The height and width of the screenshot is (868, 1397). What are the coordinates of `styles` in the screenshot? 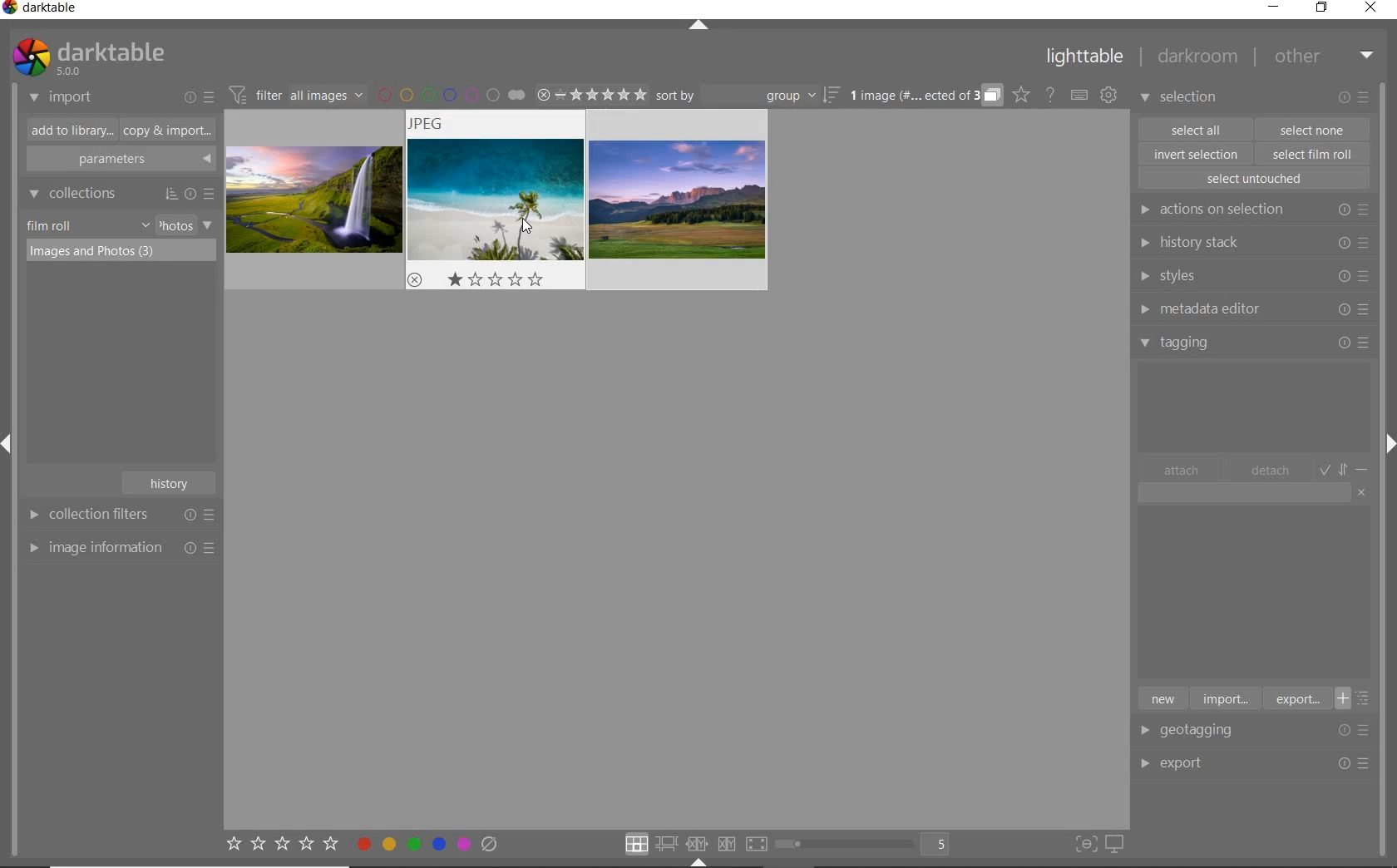 It's located at (1252, 277).